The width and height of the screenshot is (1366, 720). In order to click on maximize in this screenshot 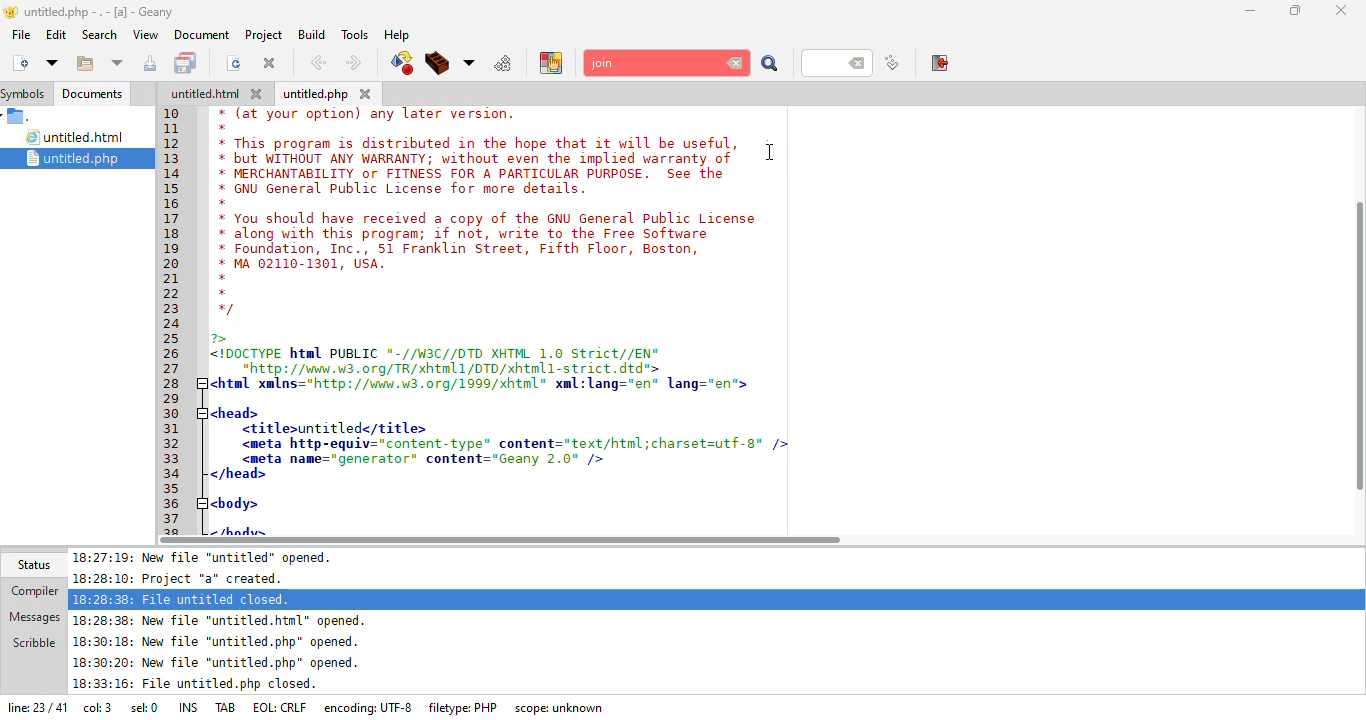, I will do `click(1296, 10)`.